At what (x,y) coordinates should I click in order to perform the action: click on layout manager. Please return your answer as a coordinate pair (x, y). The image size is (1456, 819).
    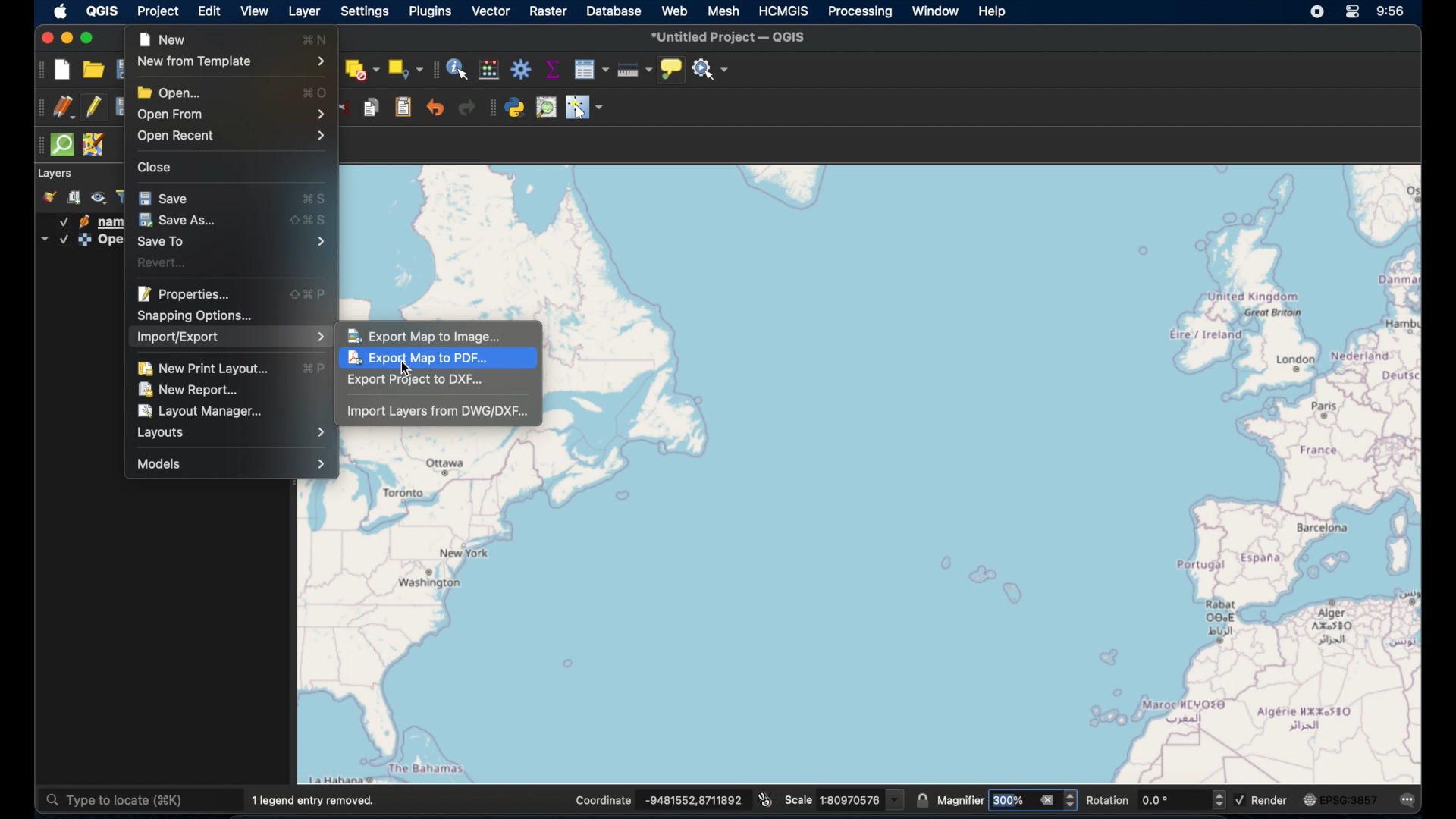
    Looking at the image, I should click on (201, 410).